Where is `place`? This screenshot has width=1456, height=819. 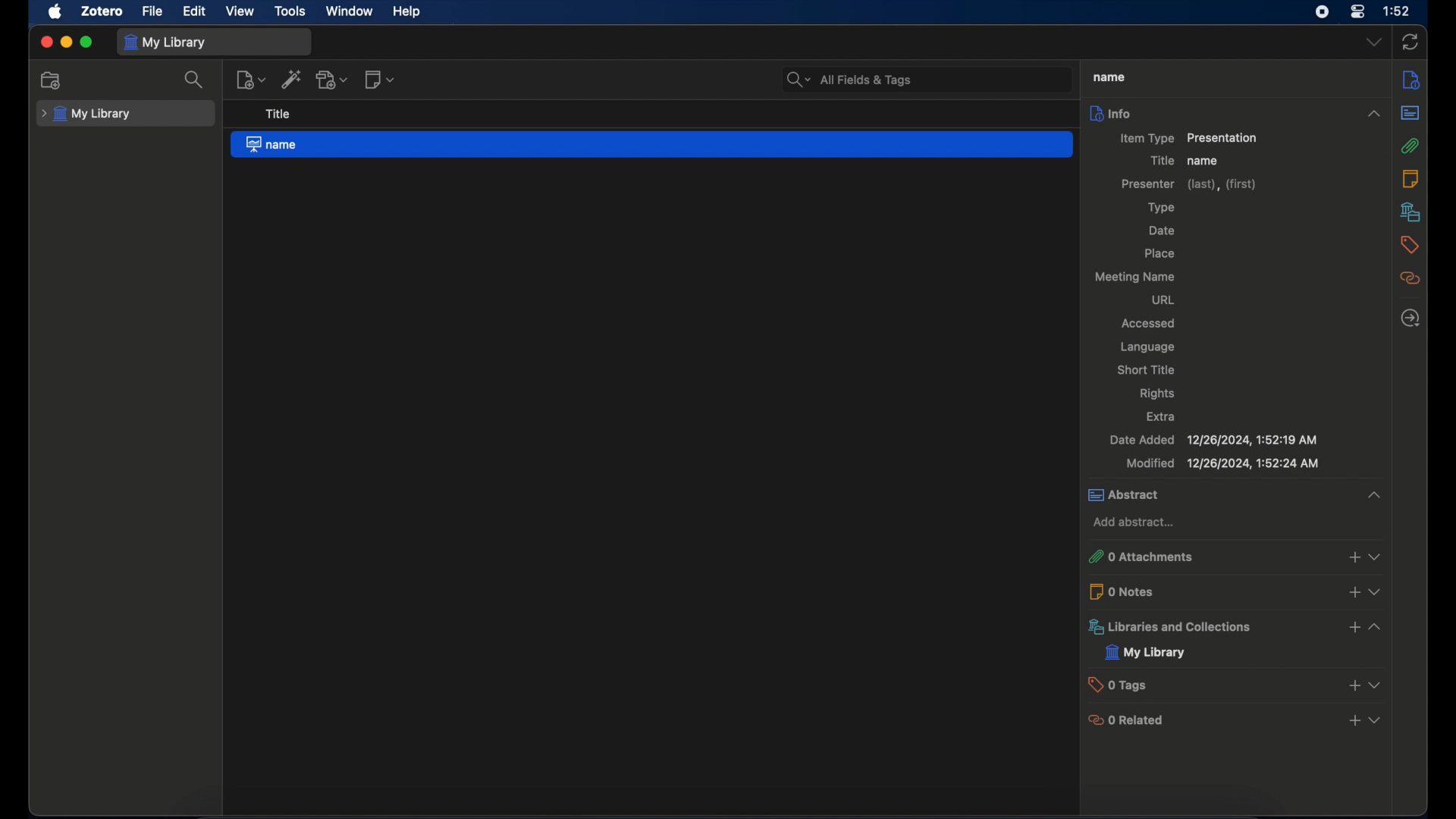 place is located at coordinates (1159, 253).